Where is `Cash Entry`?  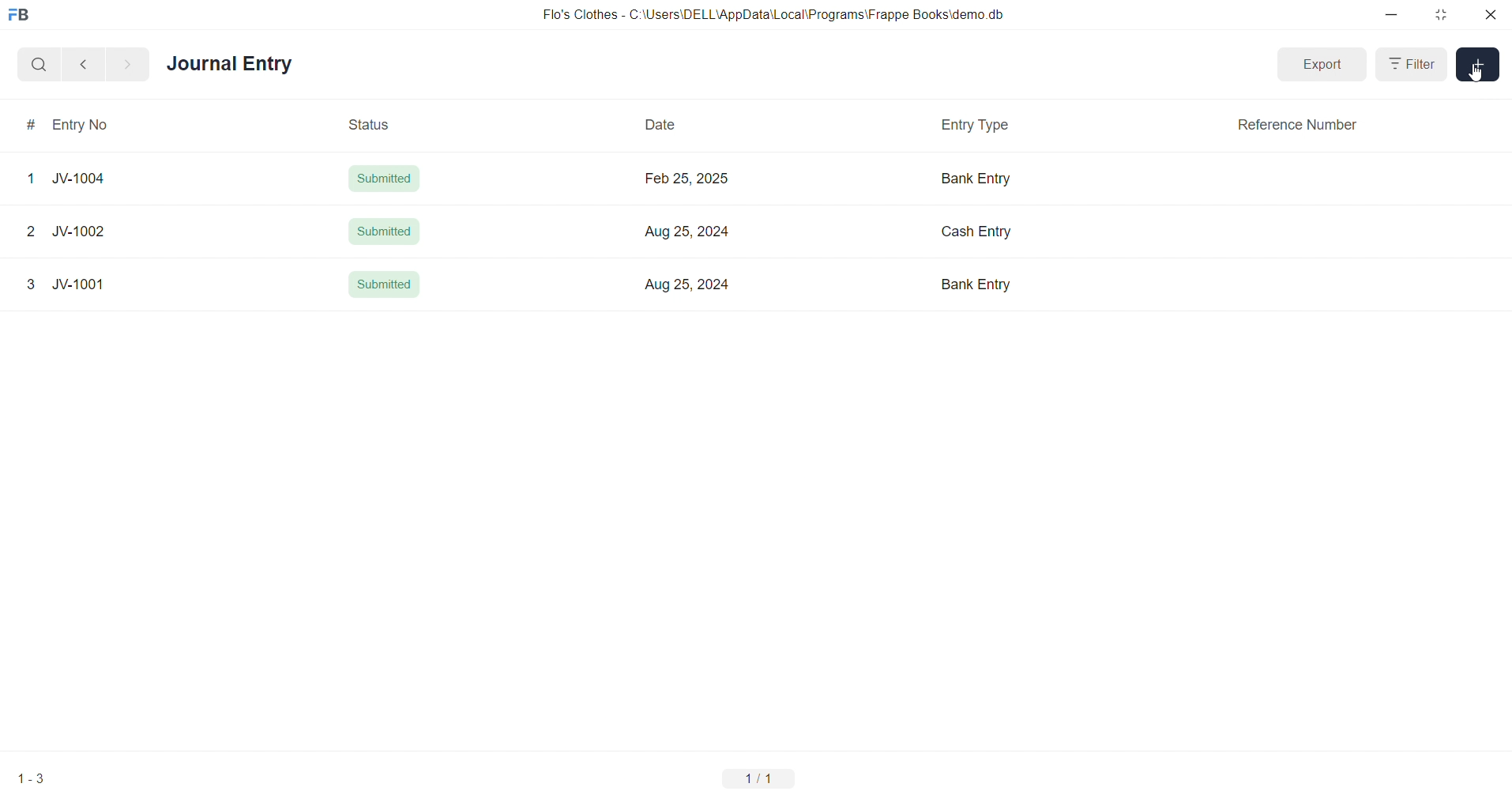
Cash Entry is located at coordinates (972, 233).